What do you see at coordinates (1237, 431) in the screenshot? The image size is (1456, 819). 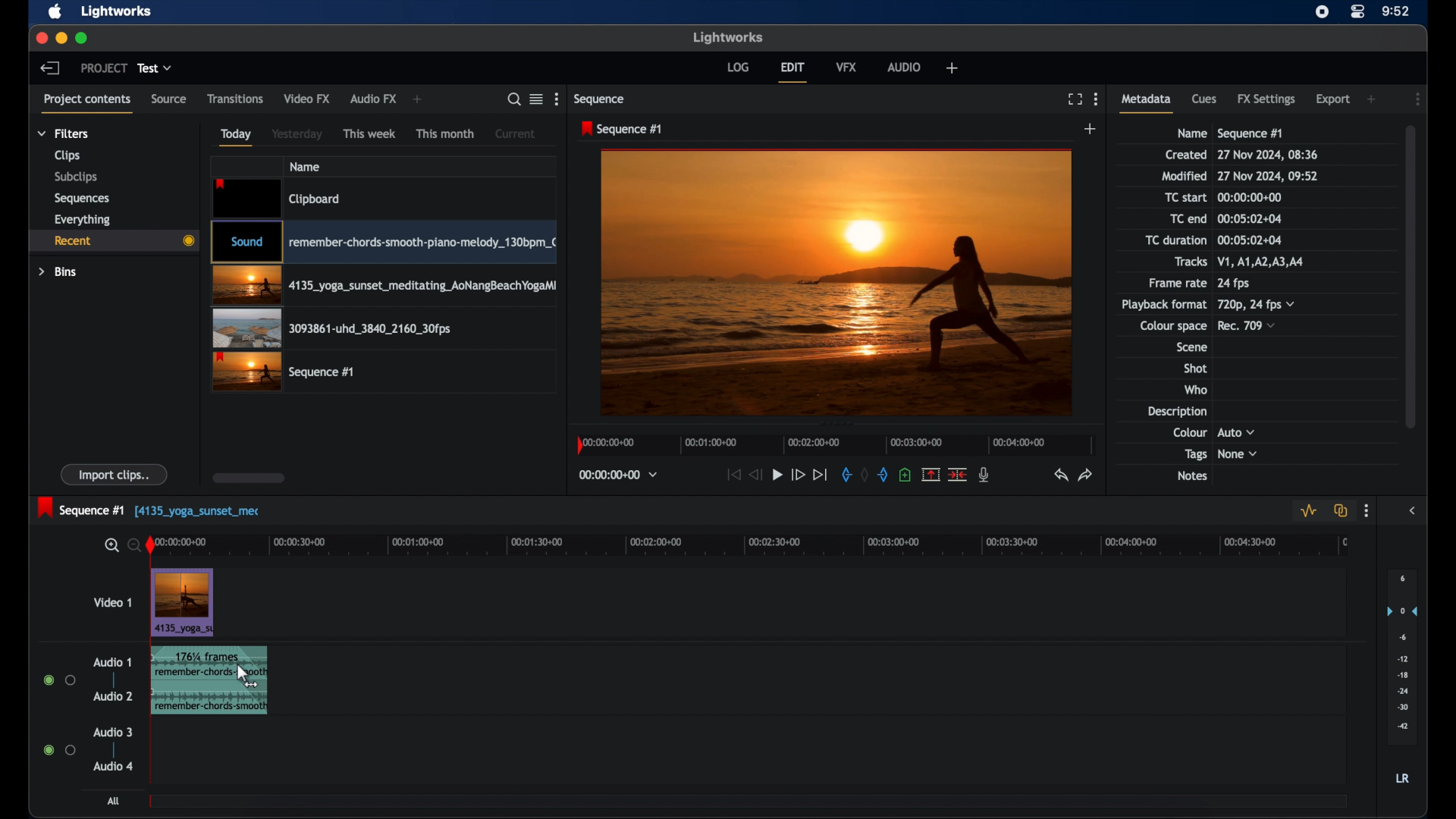 I see `auto` at bounding box center [1237, 431].